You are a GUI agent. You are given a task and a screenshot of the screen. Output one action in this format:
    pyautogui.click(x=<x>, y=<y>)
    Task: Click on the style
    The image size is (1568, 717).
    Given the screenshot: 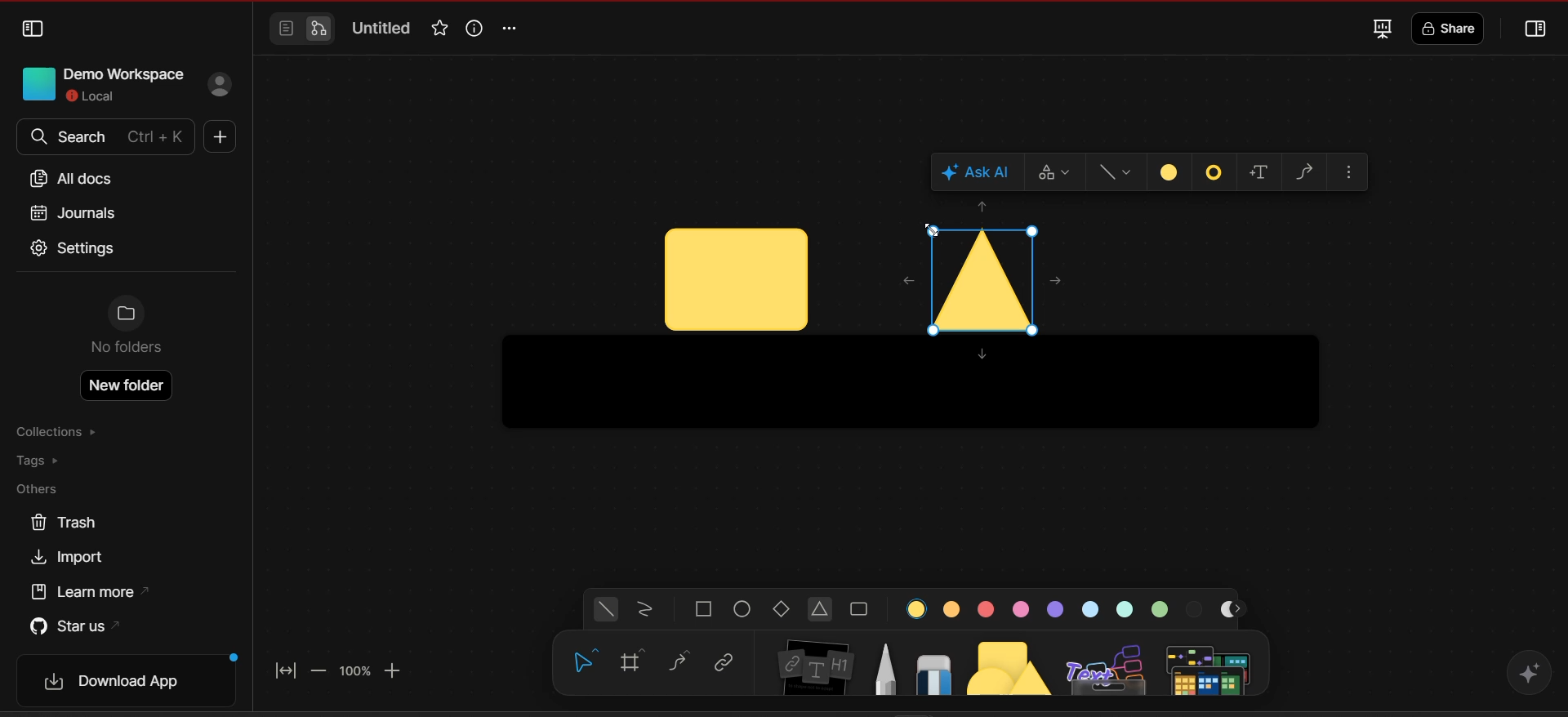 What is the action you would take?
    pyautogui.click(x=1120, y=172)
    